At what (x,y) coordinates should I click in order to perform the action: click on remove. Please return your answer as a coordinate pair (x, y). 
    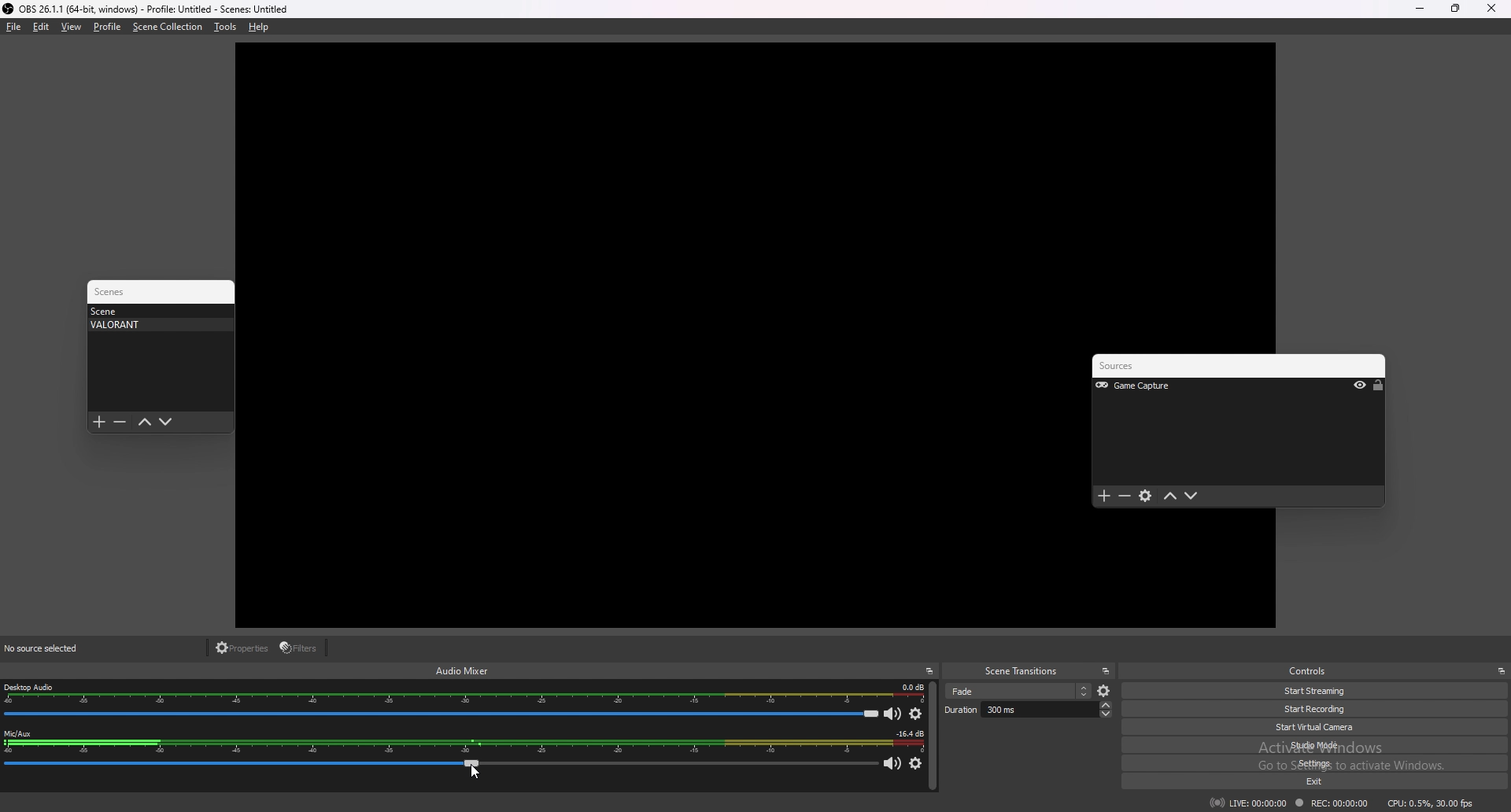
    Looking at the image, I should click on (1125, 497).